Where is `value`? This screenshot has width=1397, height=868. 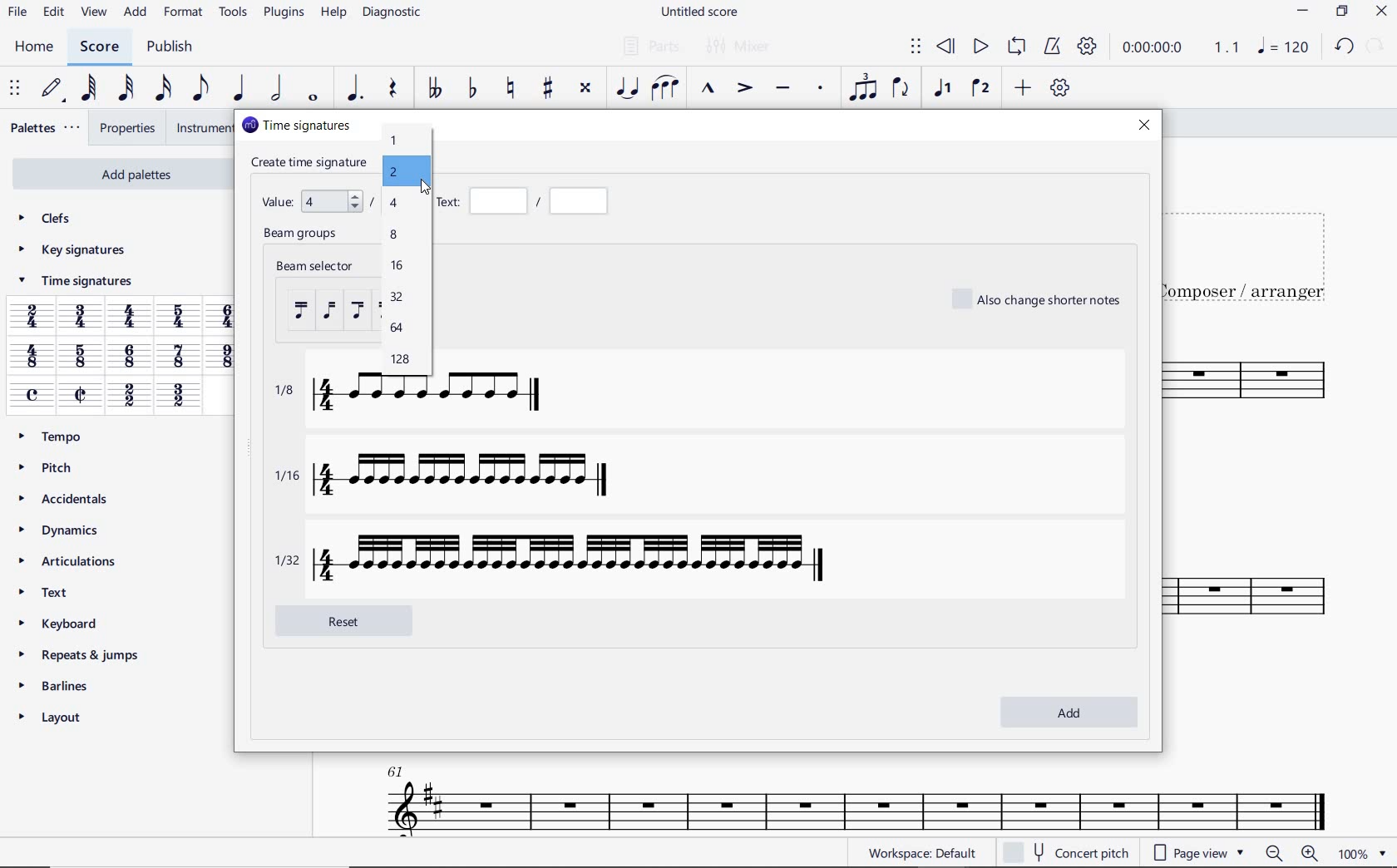
value is located at coordinates (313, 199).